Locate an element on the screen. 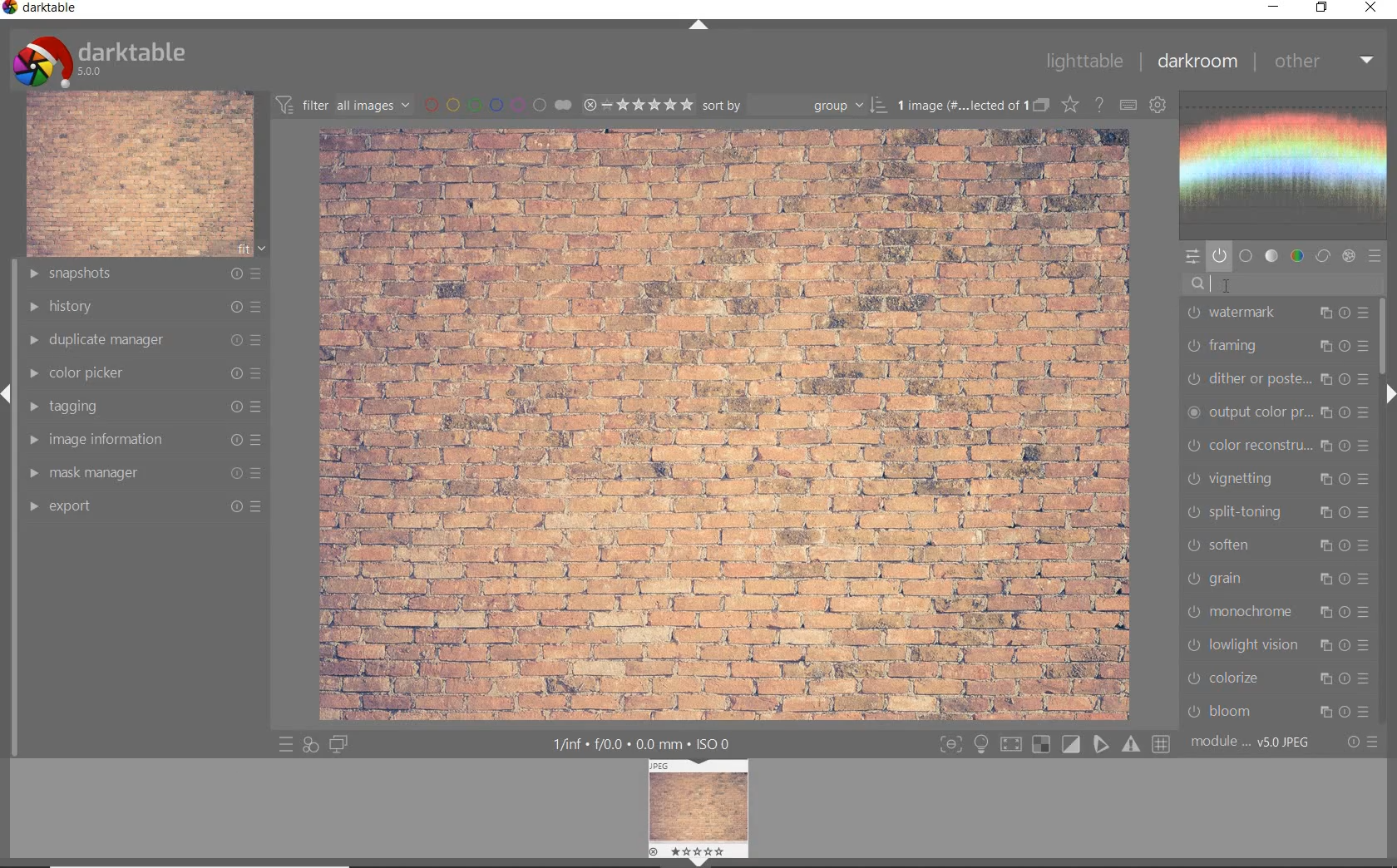 The height and width of the screenshot is (868, 1397). mask manager is located at coordinates (144, 472).